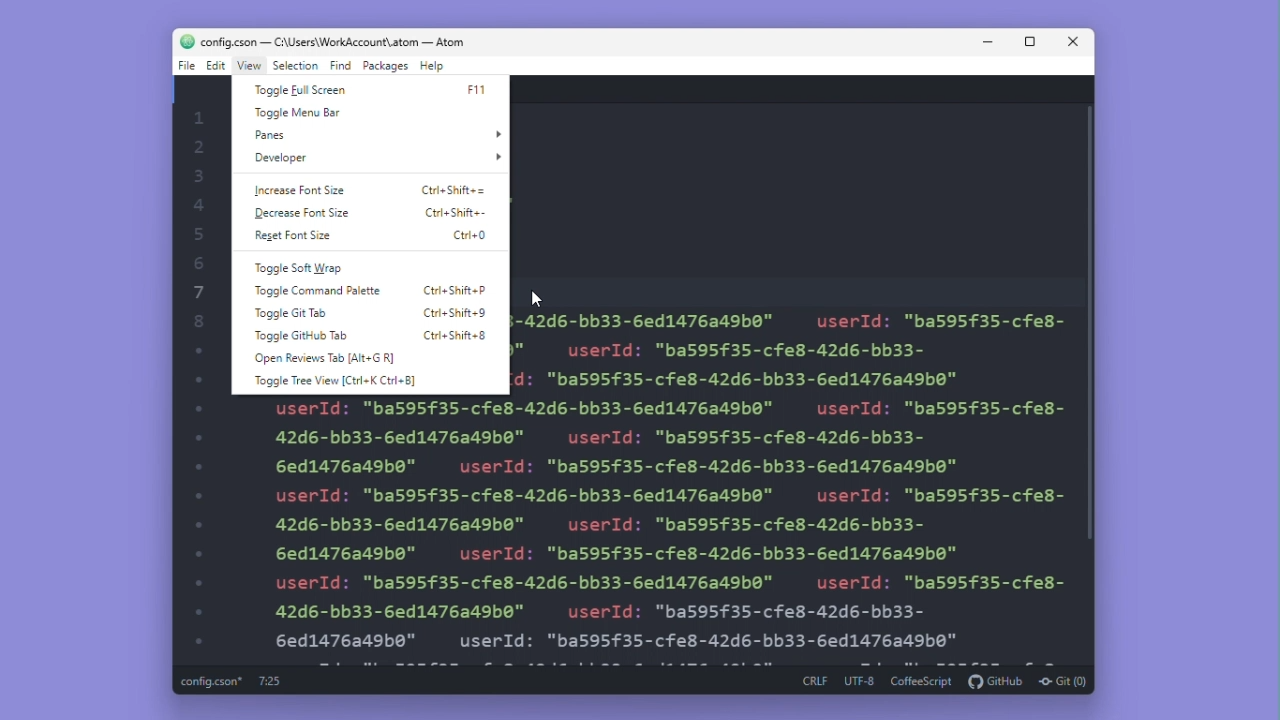 The width and height of the screenshot is (1280, 720). What do you see at coordinates (1073, 41) in the screenshot?
I see `Close` at bounding box center [1073, 41].